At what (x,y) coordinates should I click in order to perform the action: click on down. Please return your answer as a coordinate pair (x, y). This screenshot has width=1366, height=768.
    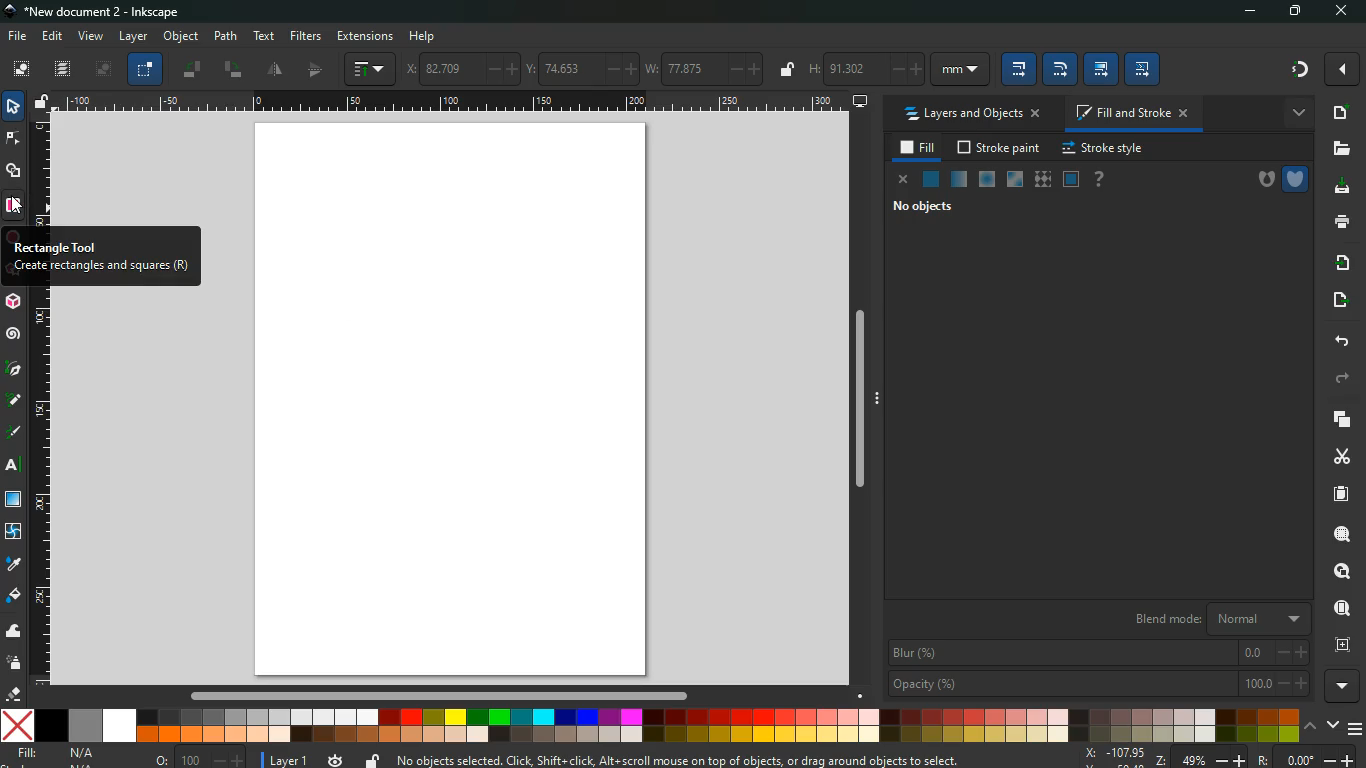
    Looking at the image, I should click on (1332, 724).